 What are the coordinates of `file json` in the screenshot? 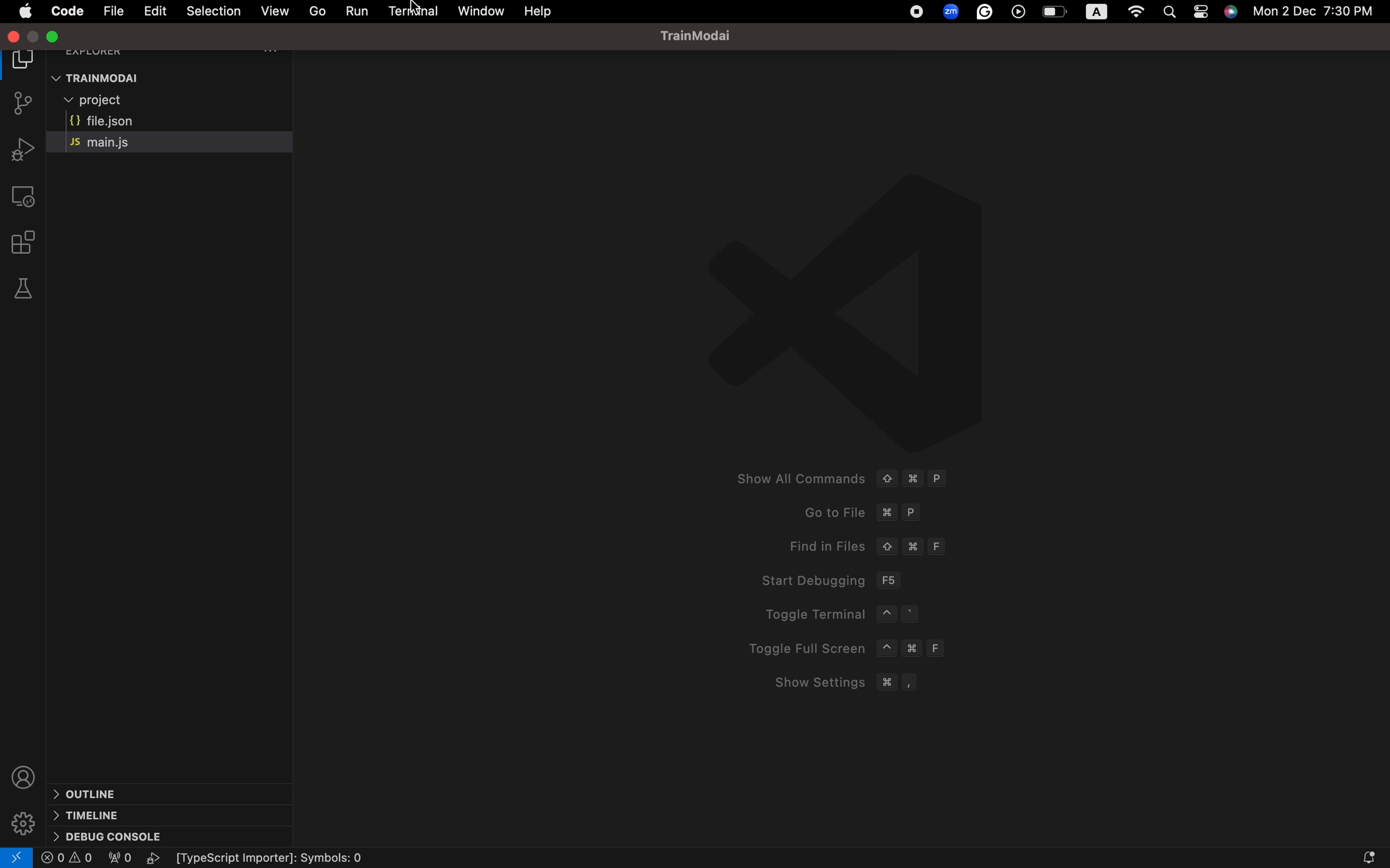 It's located at (101, 119).